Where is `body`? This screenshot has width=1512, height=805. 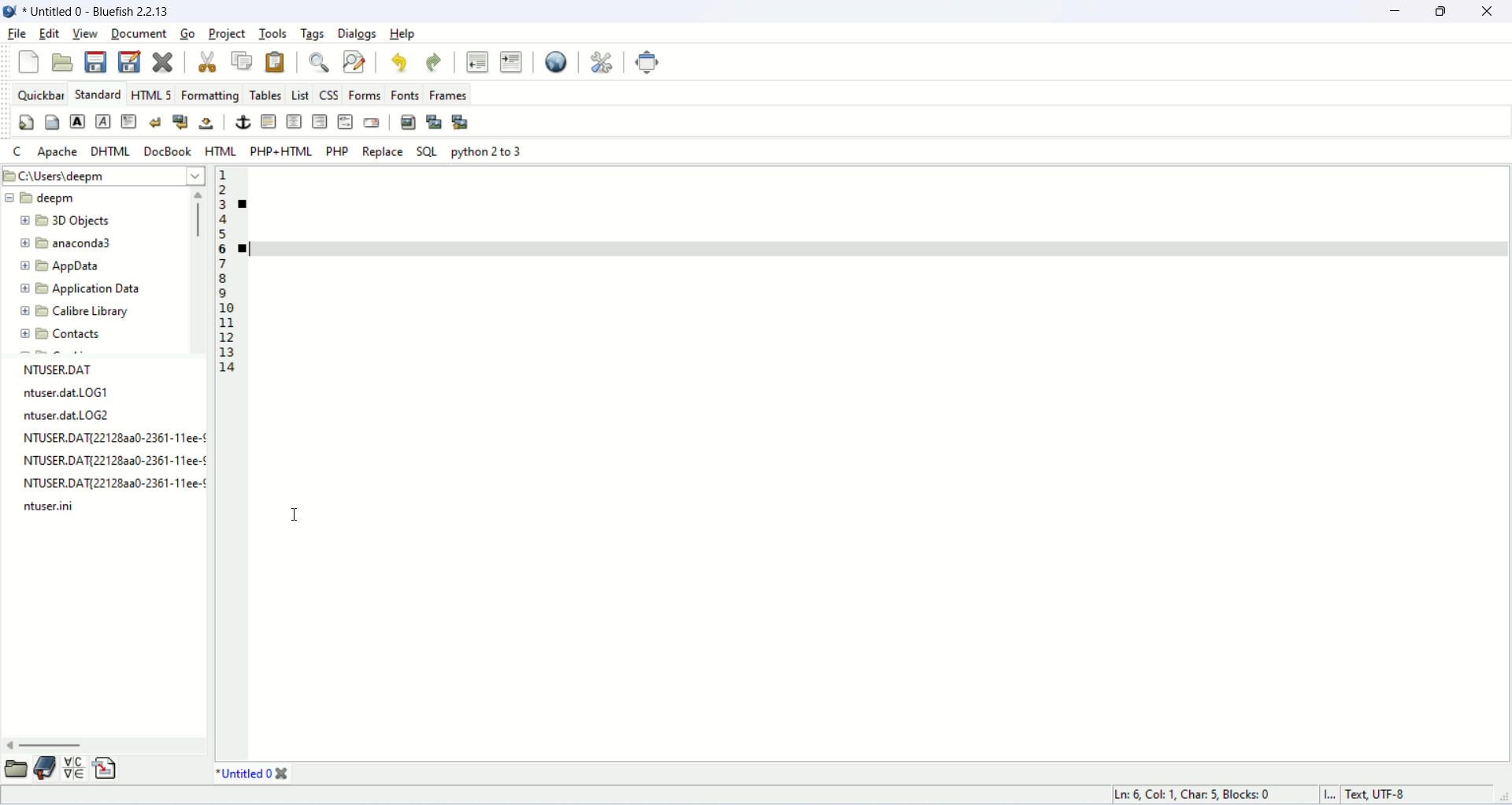
body is located at coordinates (52, 122).